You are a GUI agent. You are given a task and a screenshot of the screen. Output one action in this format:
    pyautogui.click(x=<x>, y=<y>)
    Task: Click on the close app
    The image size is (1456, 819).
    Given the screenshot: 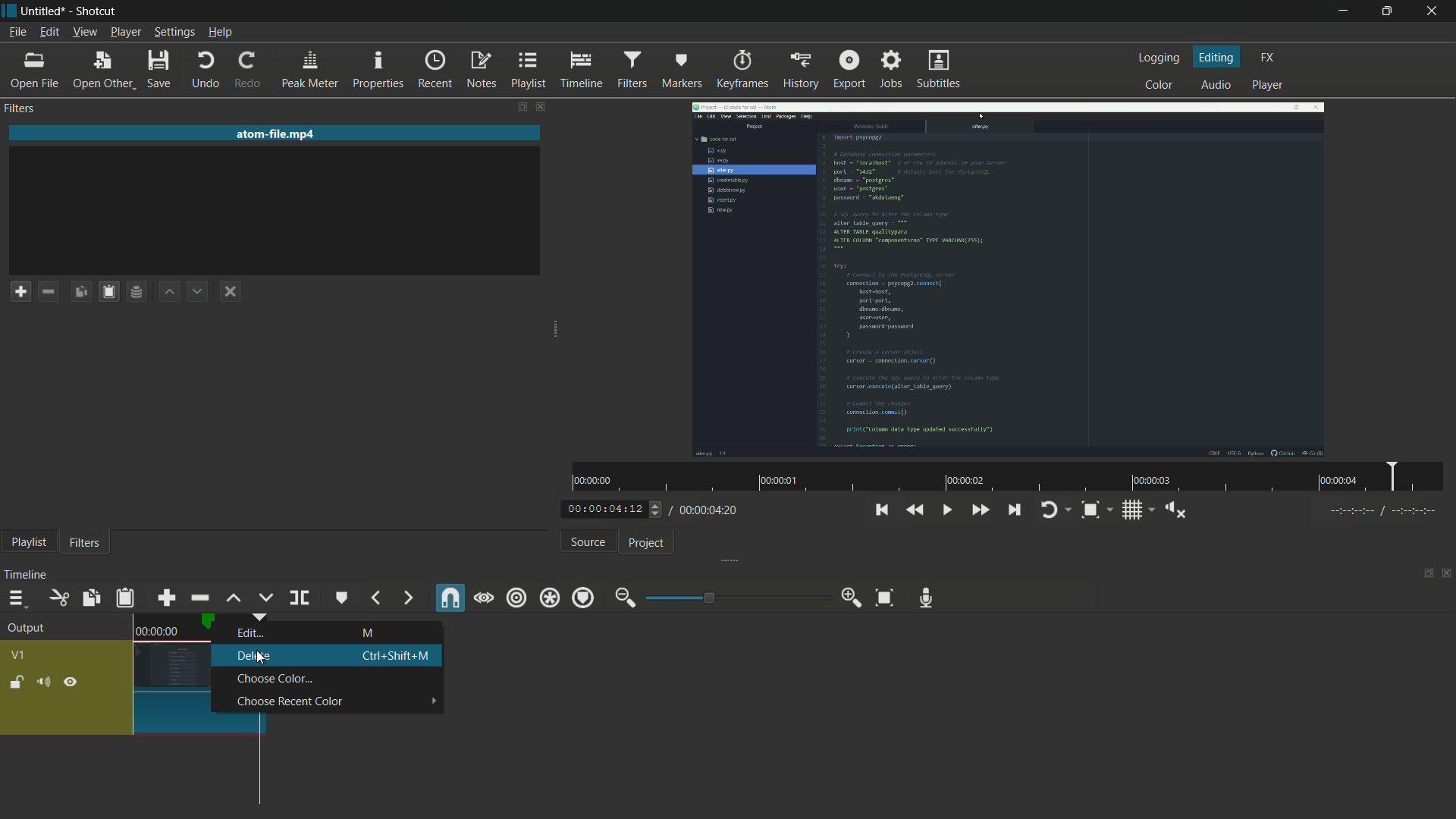 What is the action you would take?
    pyautogui.click(x=1436, y=11)
    